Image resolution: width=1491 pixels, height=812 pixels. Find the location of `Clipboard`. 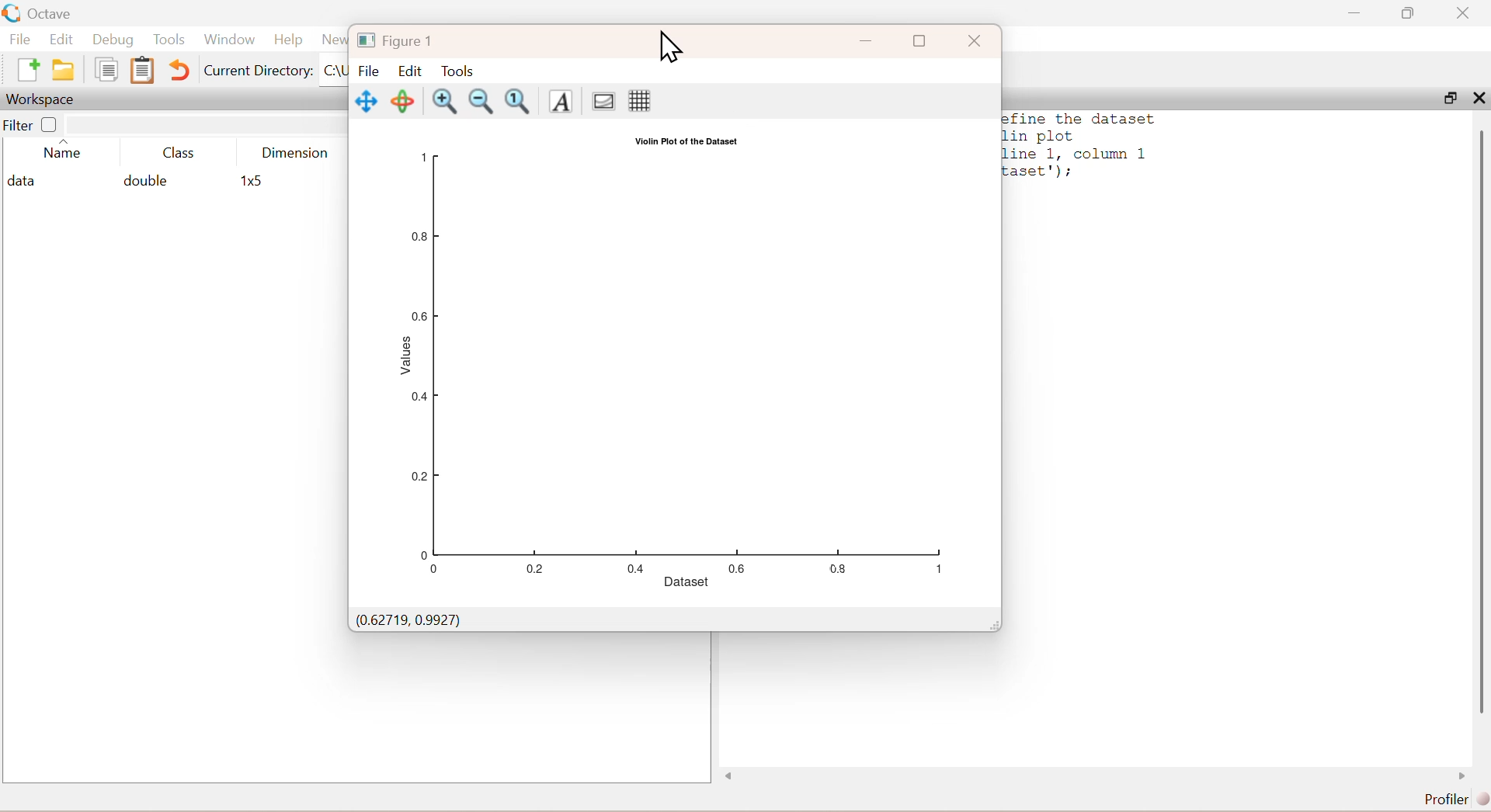

Clipboard is located at coordinates (143, 70).